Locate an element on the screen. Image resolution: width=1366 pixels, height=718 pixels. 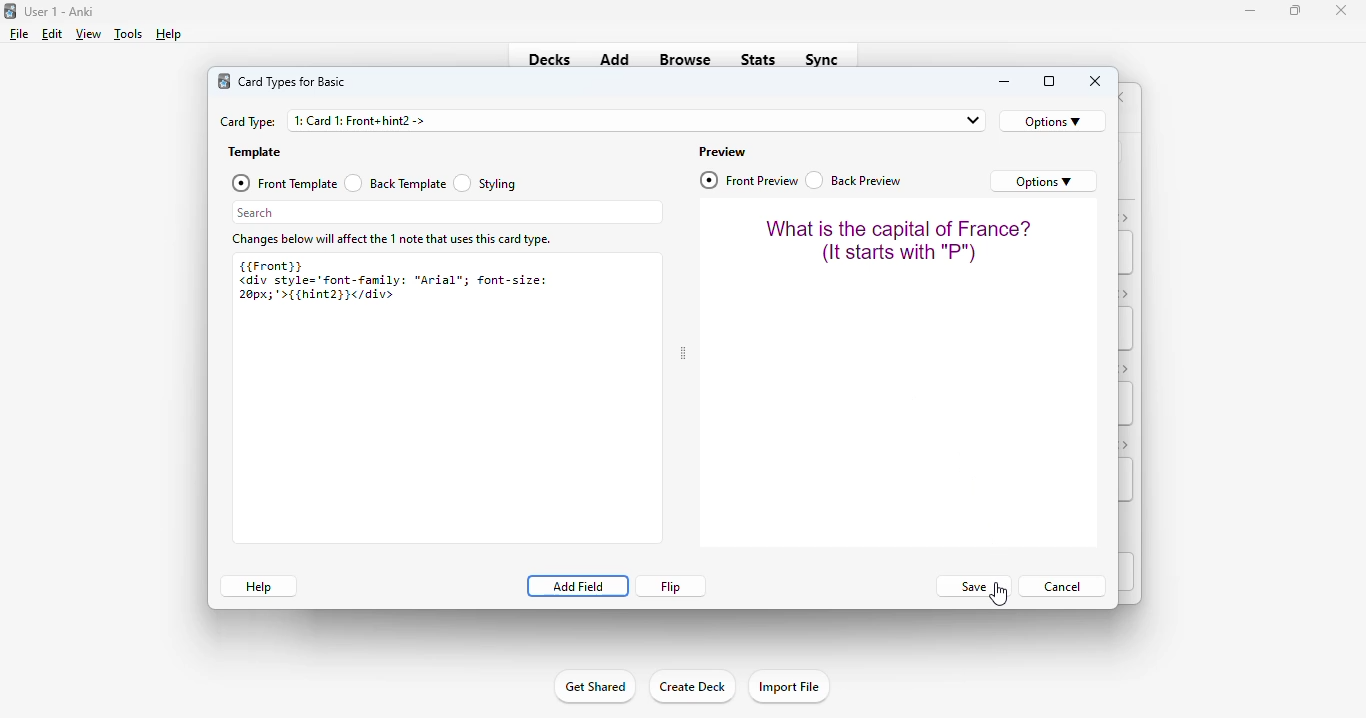
maximize is located at coordinates (1295, 9).